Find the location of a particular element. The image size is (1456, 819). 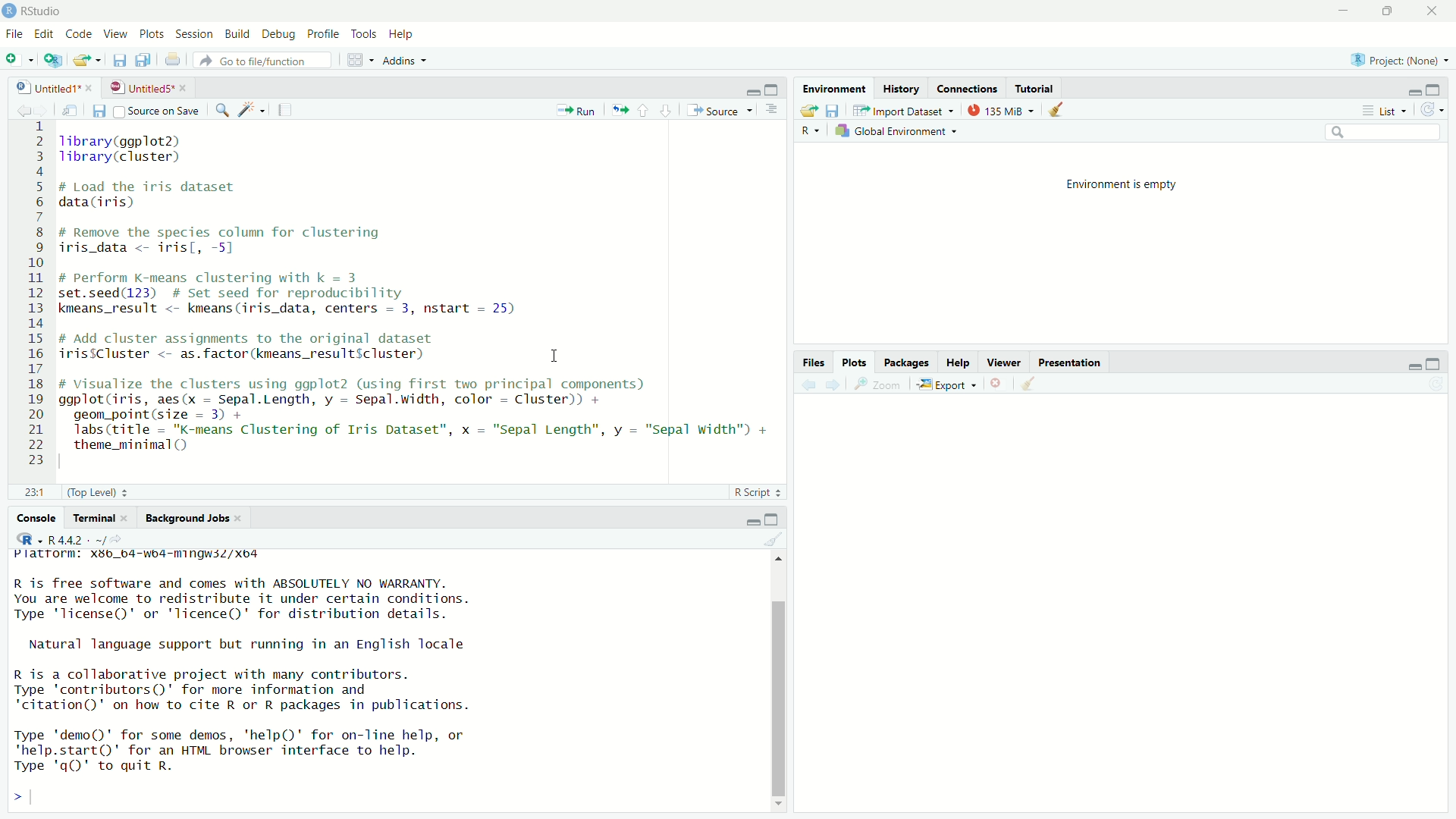

R is a collaborative project with many contributors.
Type 'contributors()' for more information and
"citation()' on how to cite R or R packages in publications. is located at coordinates (268, 691).